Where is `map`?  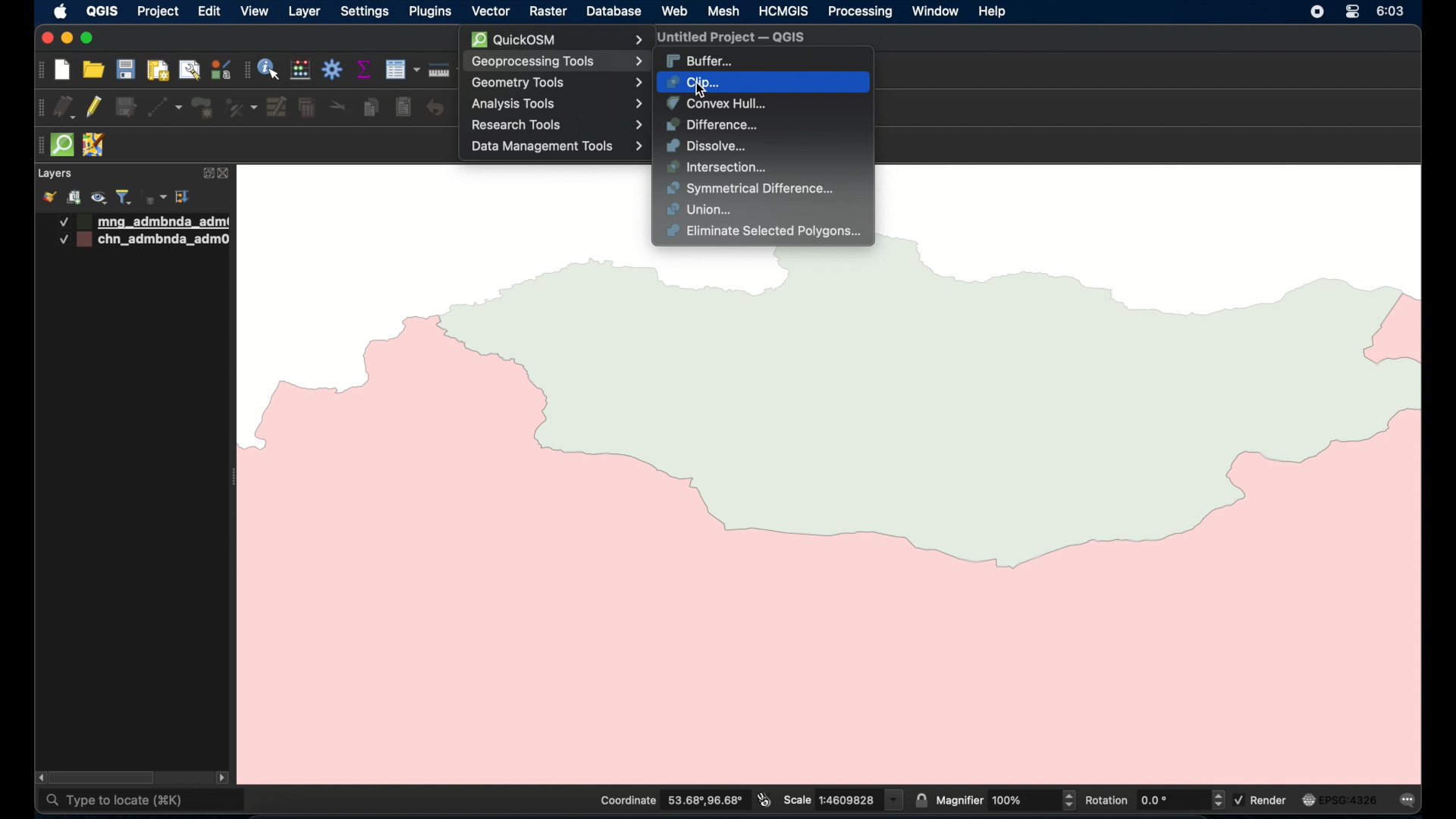 map is located at coordinates (836, 513).